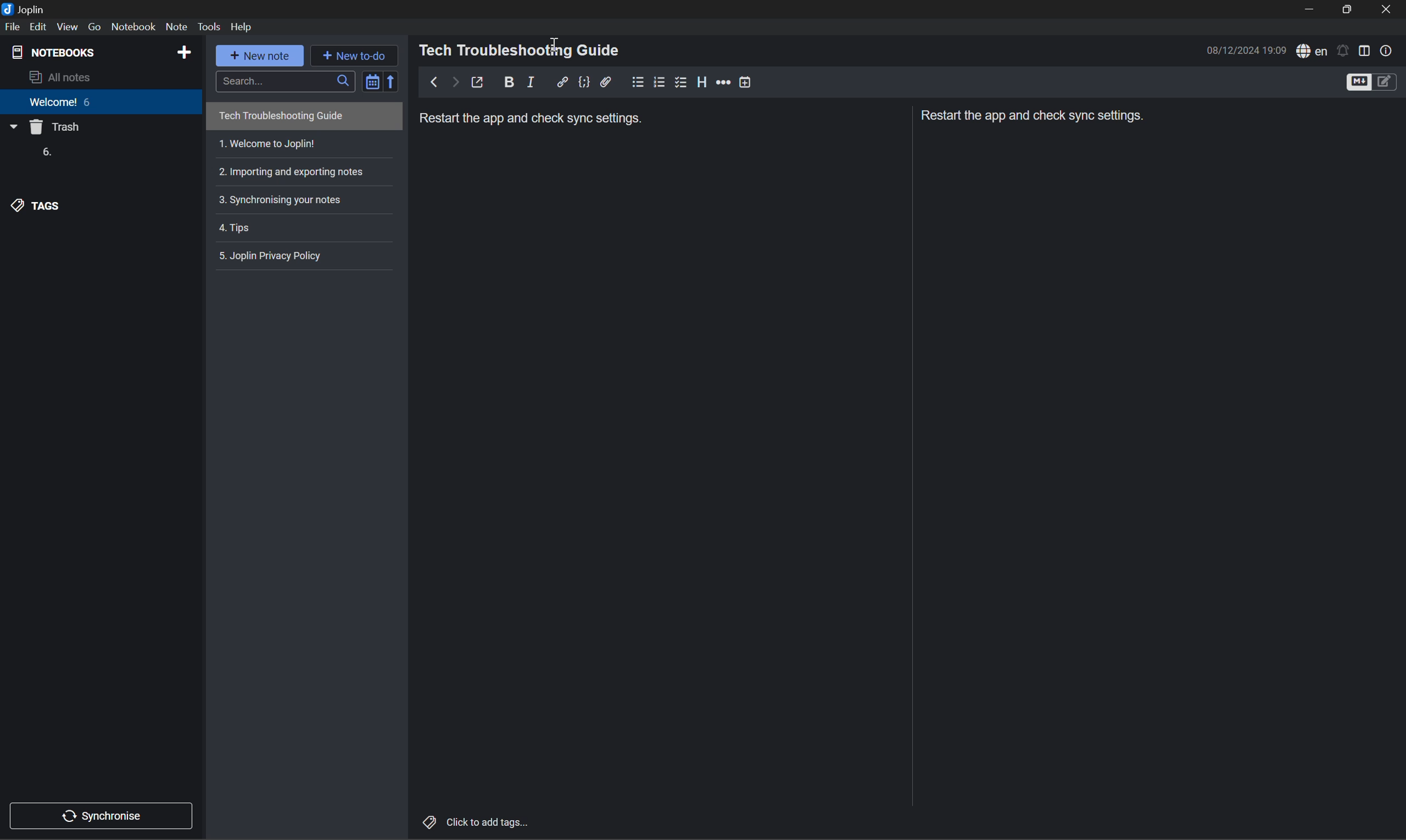  I want to click on Bold, so click(509, 81).